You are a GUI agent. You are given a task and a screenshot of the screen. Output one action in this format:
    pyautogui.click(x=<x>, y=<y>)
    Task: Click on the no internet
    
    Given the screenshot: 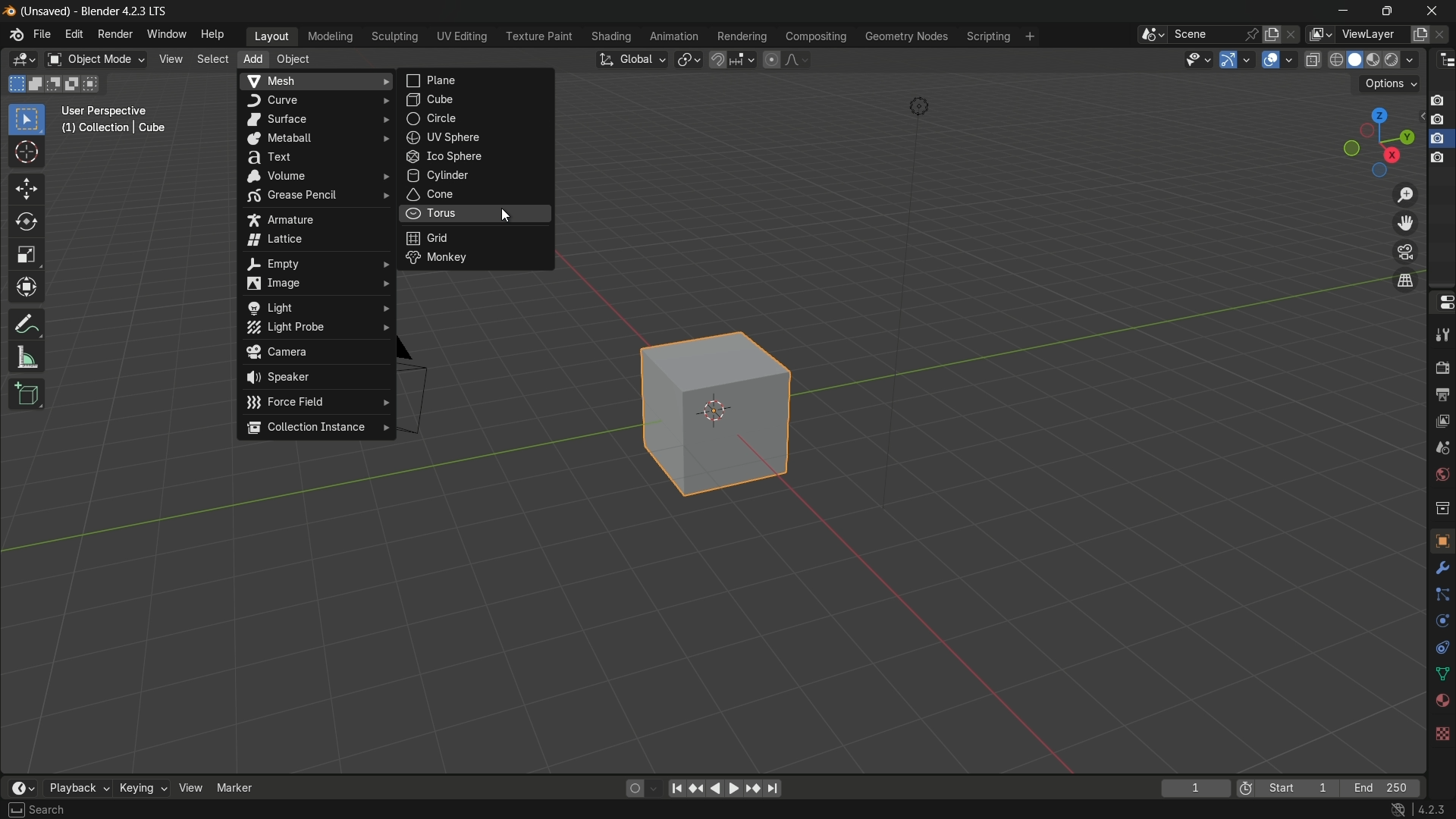 What is the action you would take?
    pyautogui.click(x=1395, y=810)
    